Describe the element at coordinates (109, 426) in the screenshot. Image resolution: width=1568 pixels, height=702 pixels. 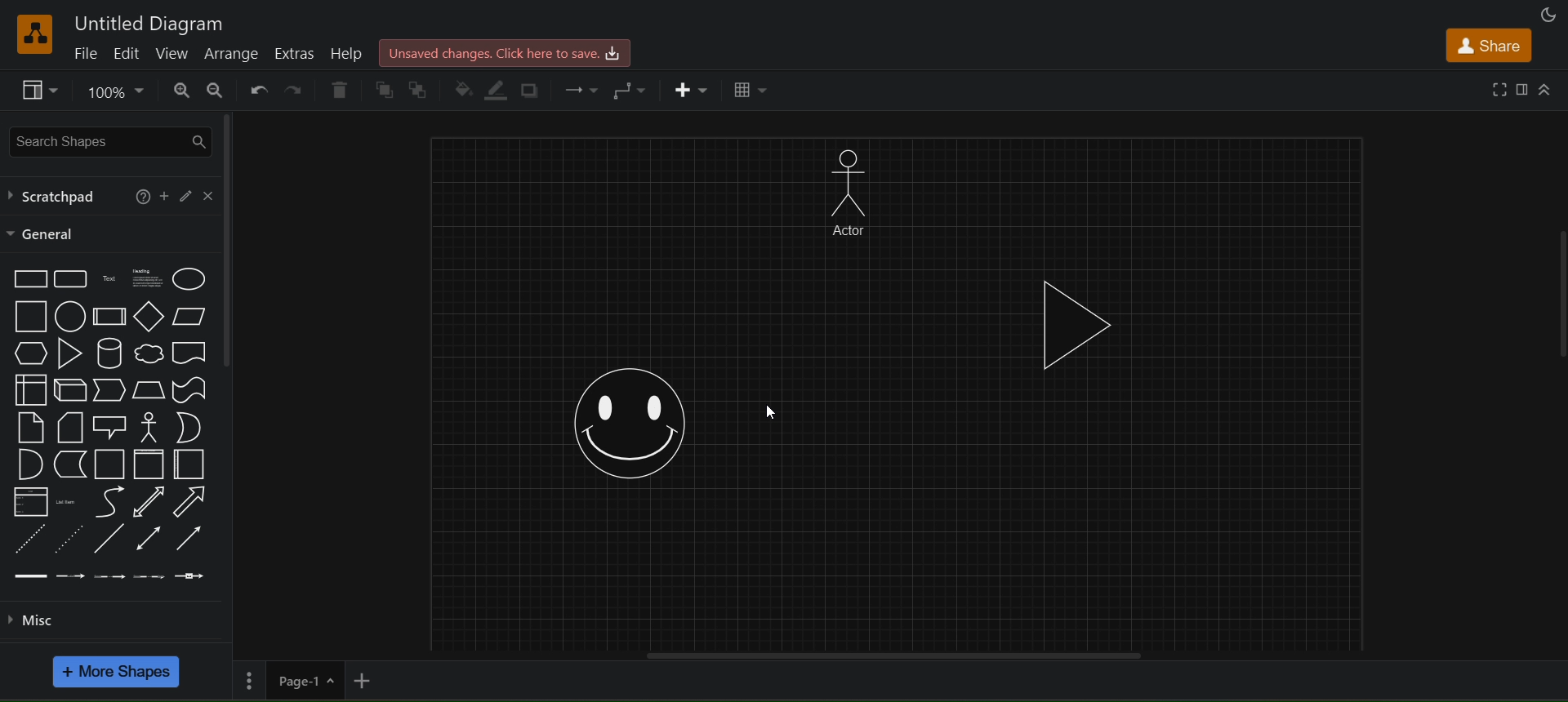
I see `callout` at that location.